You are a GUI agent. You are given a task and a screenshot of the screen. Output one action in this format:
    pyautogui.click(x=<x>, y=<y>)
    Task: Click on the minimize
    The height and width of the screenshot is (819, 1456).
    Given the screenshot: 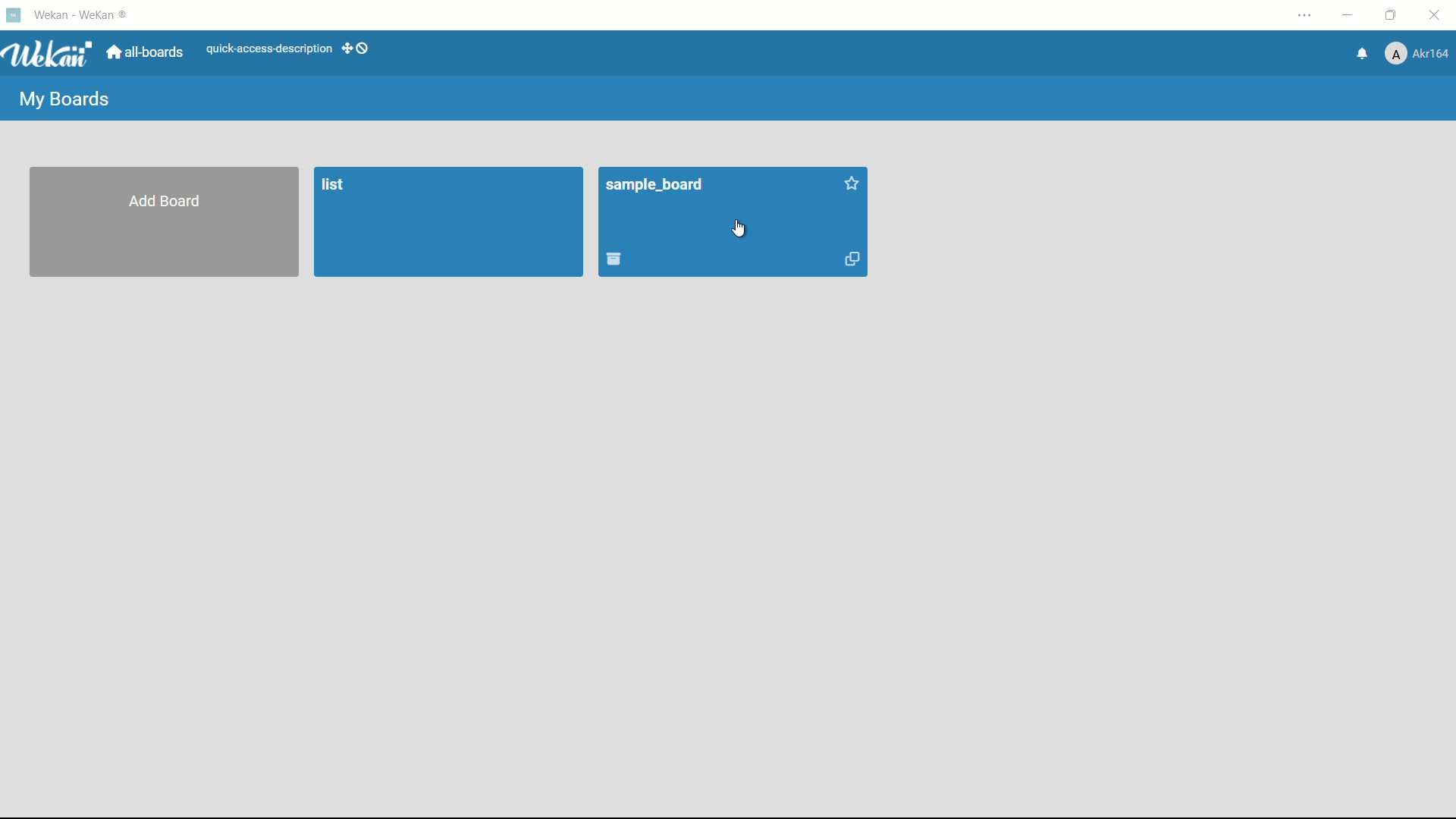 What is the action you would take?
    pyautogui.click(x=1349, y=16)
    